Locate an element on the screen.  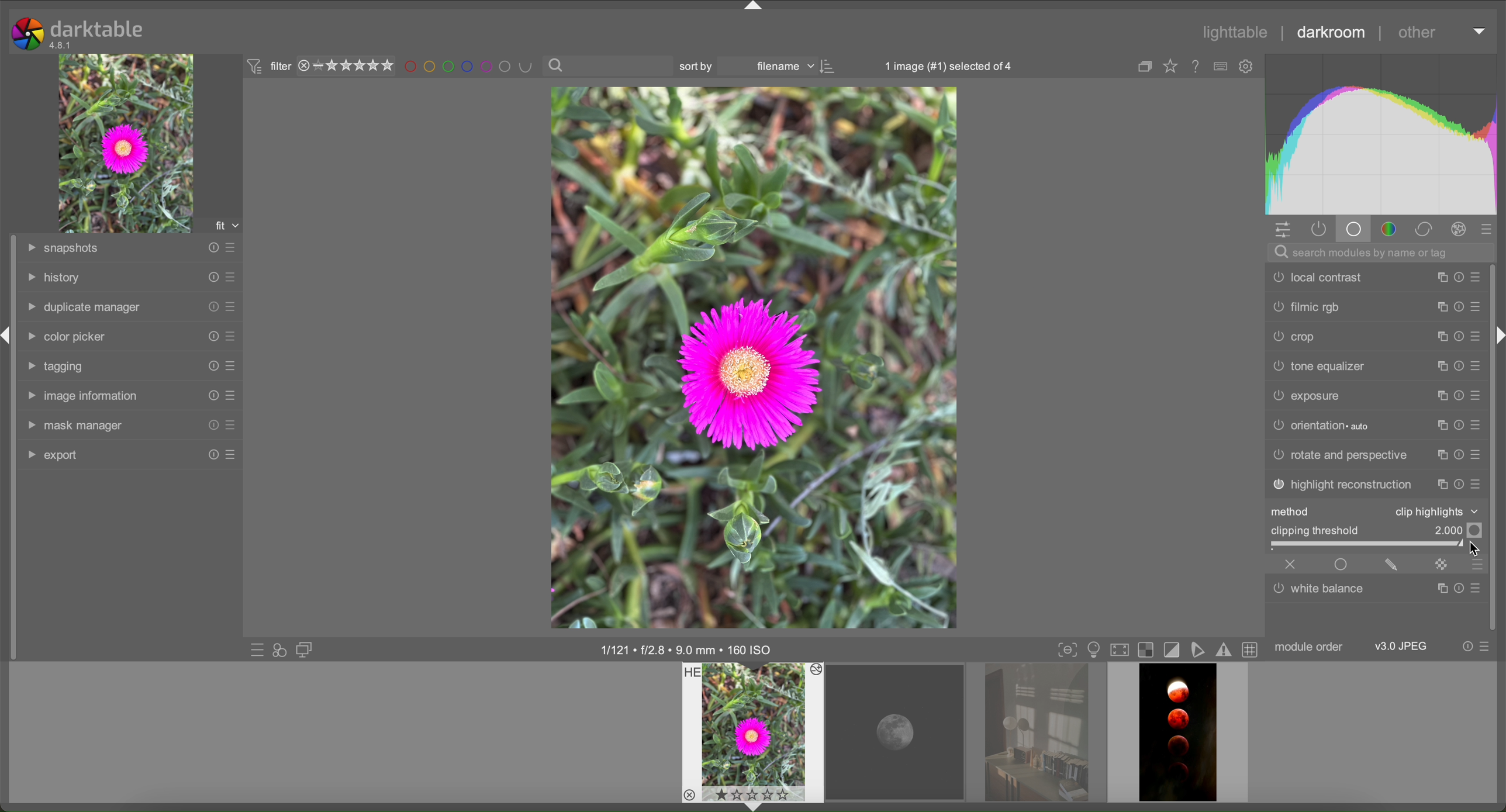
copy is located at coordinates (1441, 307).